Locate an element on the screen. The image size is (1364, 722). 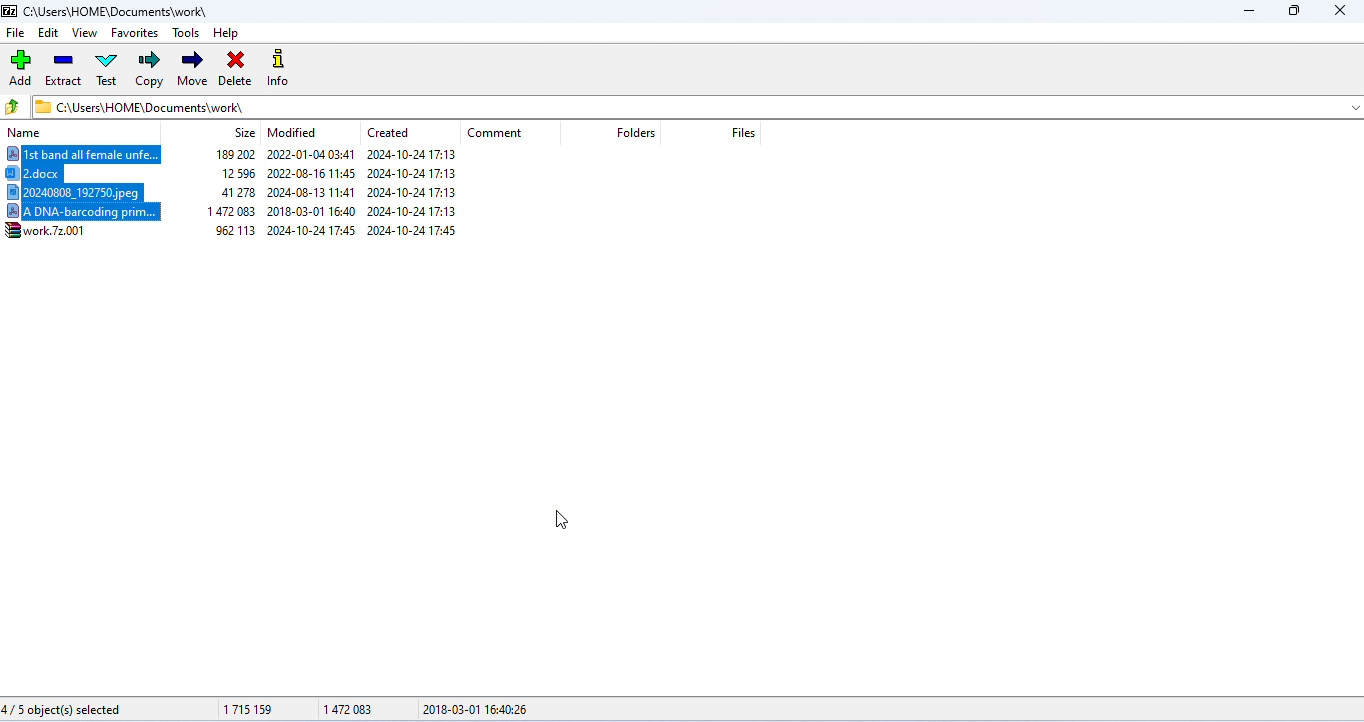
edit is located at coordinates (49, 33).